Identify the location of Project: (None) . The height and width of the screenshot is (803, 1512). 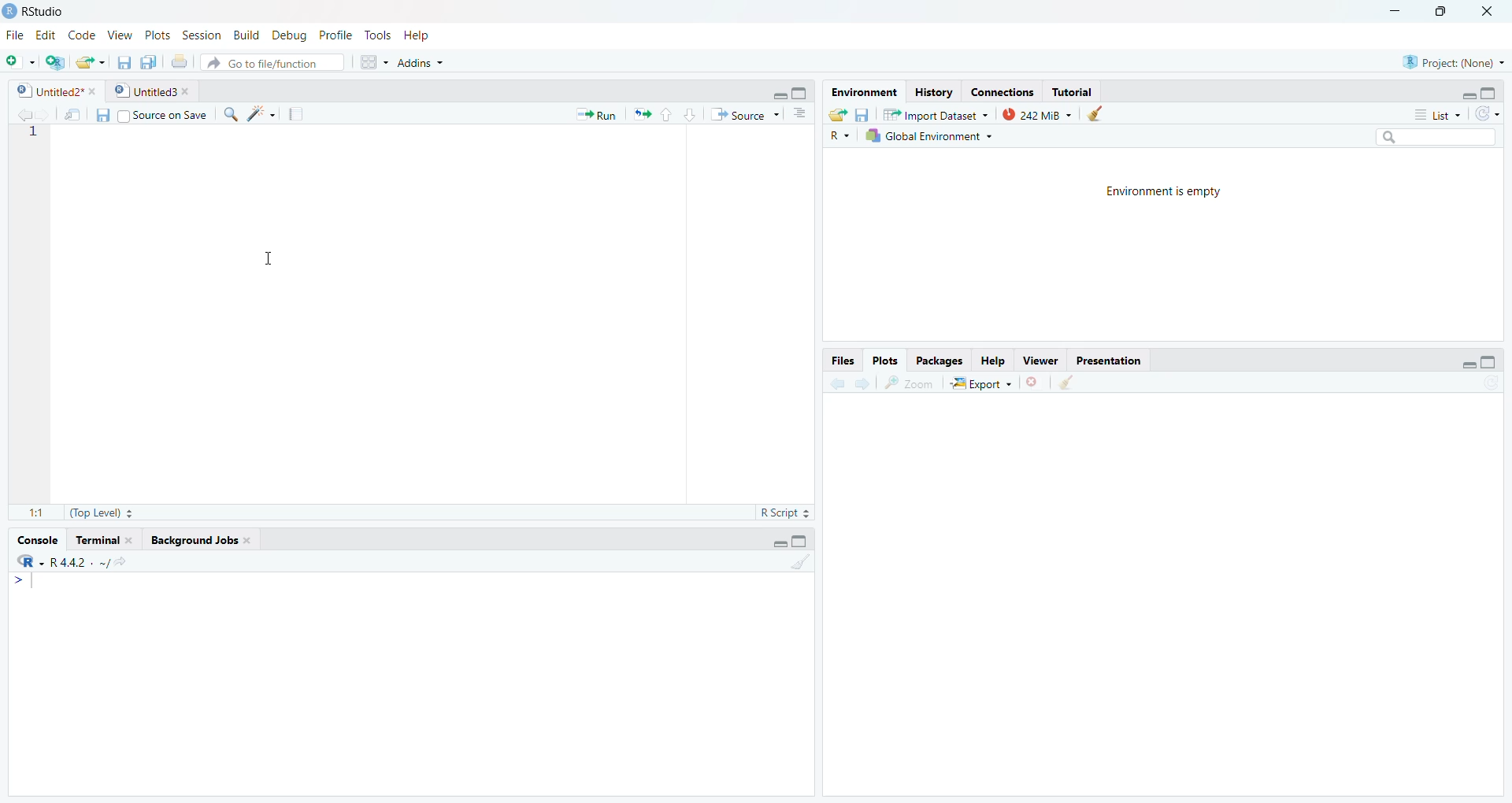
(1453, 61).